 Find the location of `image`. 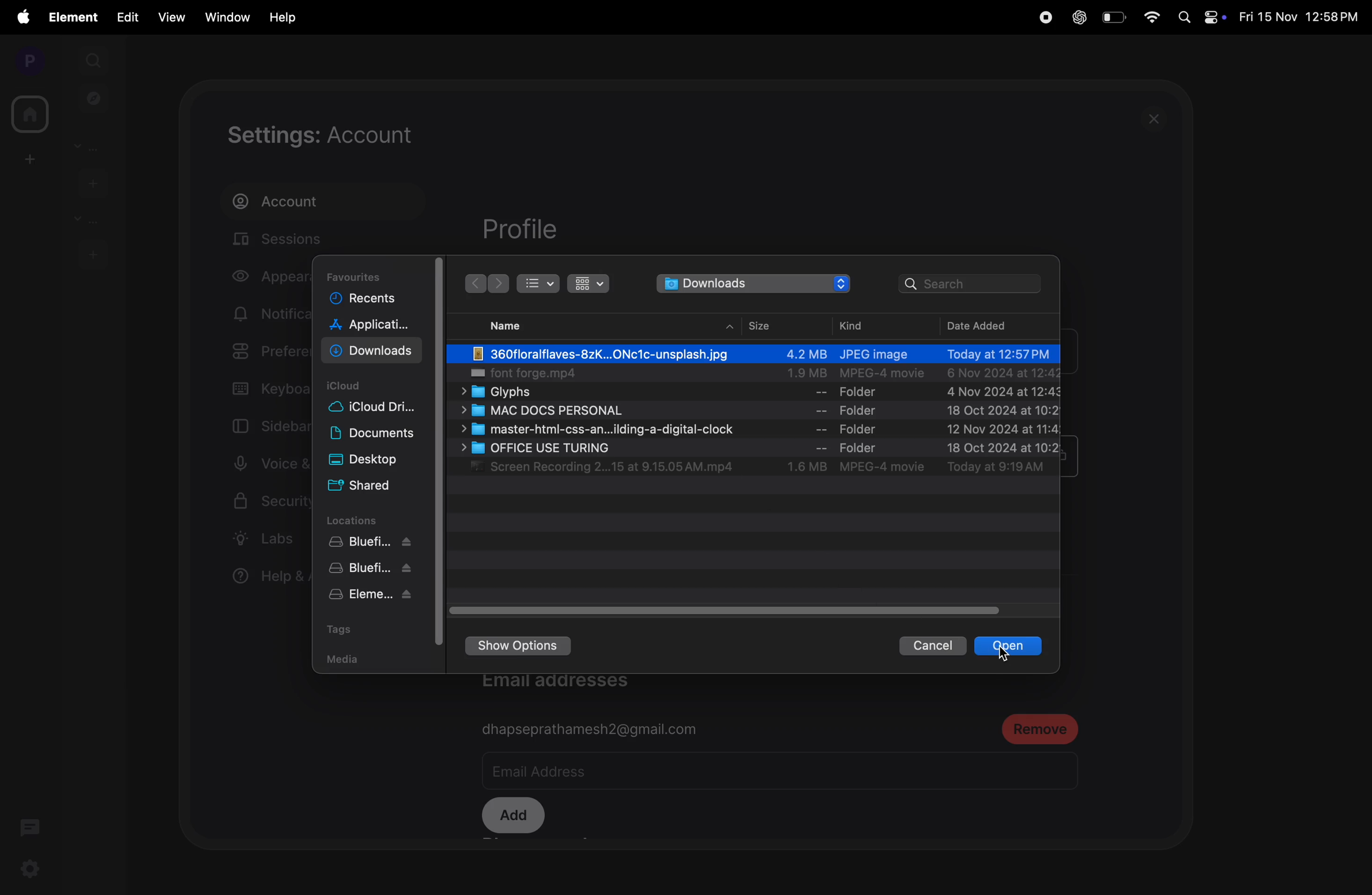

image is located at coordinates (762, 354).